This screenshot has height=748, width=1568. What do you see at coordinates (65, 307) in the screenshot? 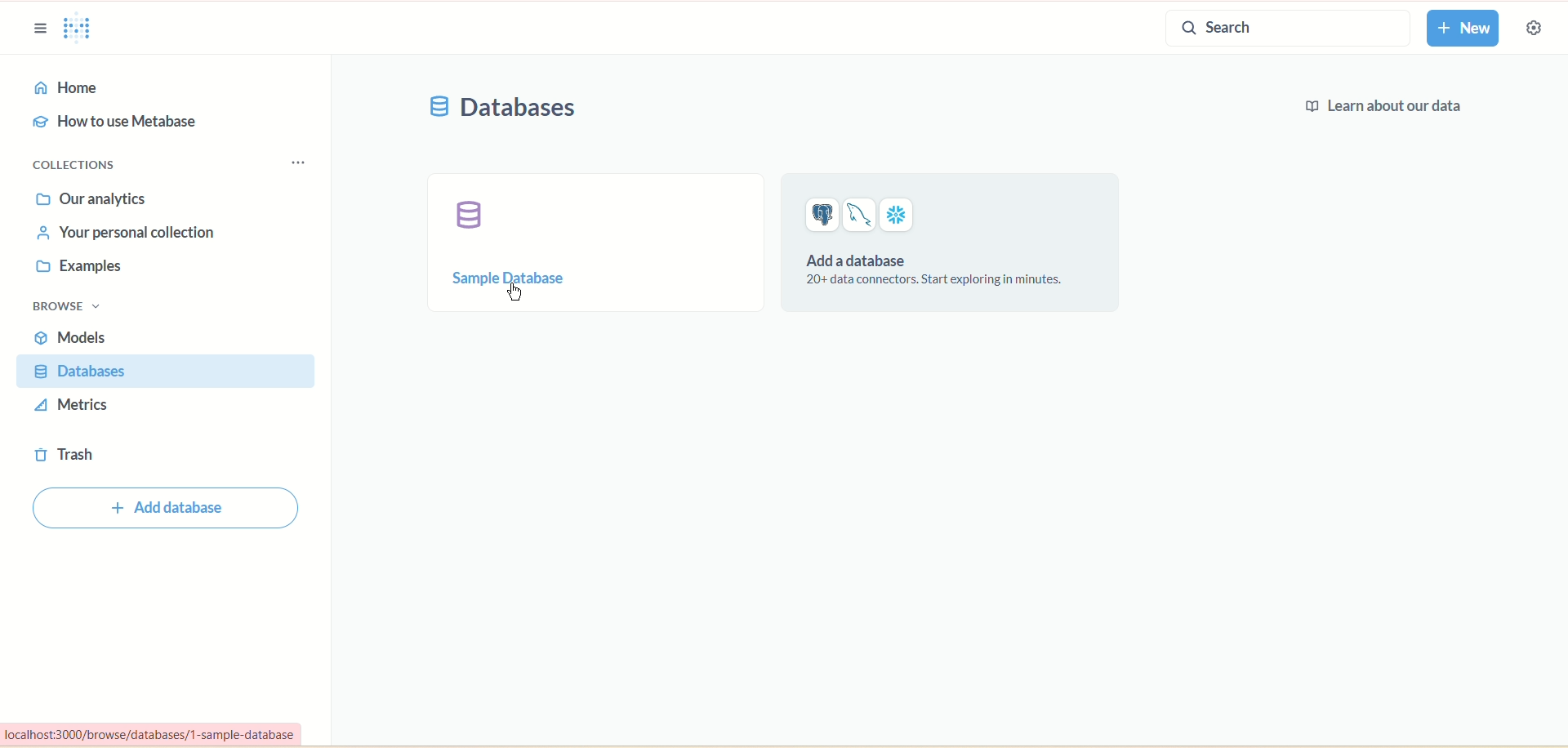
I see `browse` at bounding box center [65, 307].